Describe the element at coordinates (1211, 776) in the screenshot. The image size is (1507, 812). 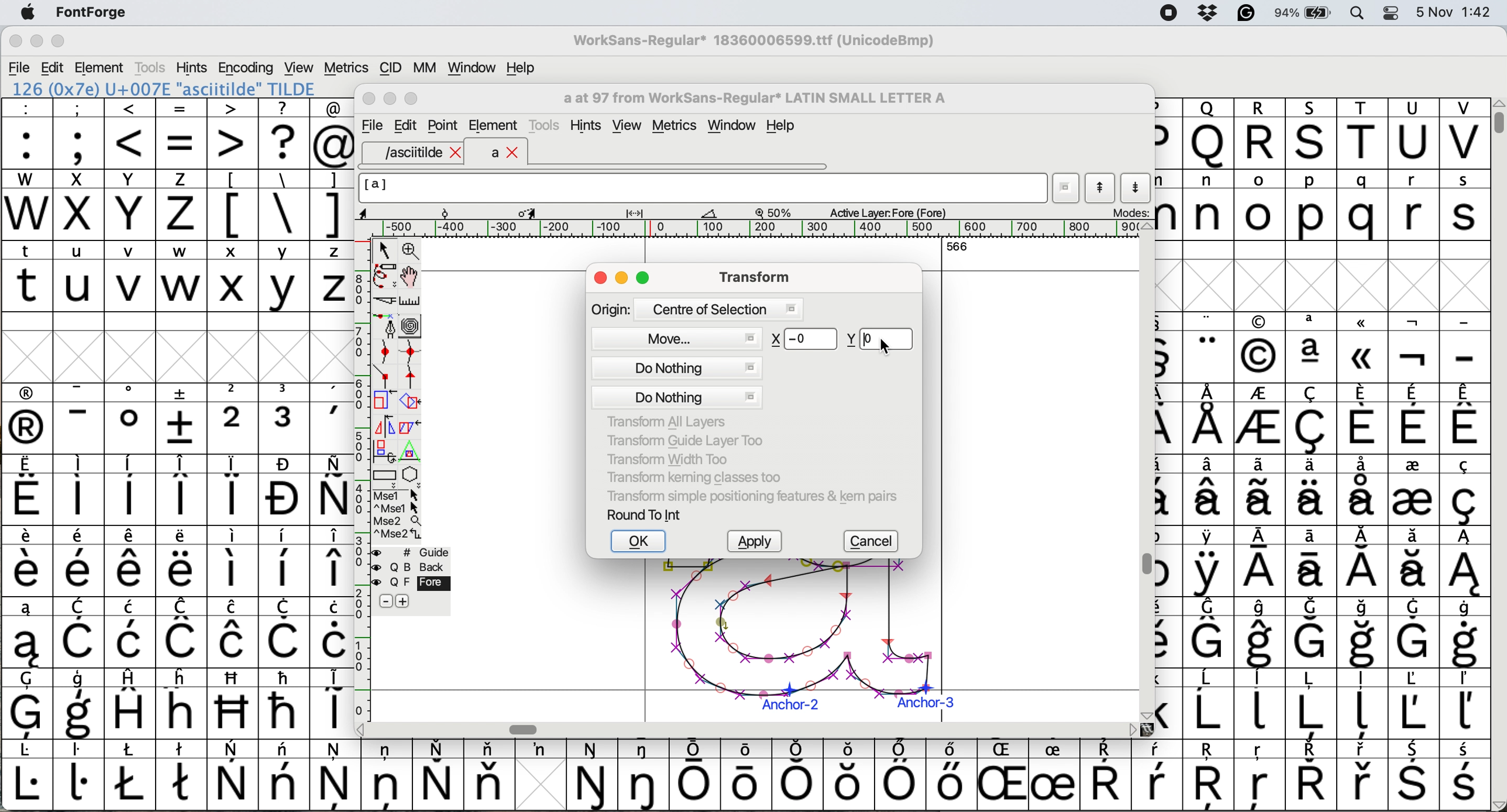
I see `` at that location.